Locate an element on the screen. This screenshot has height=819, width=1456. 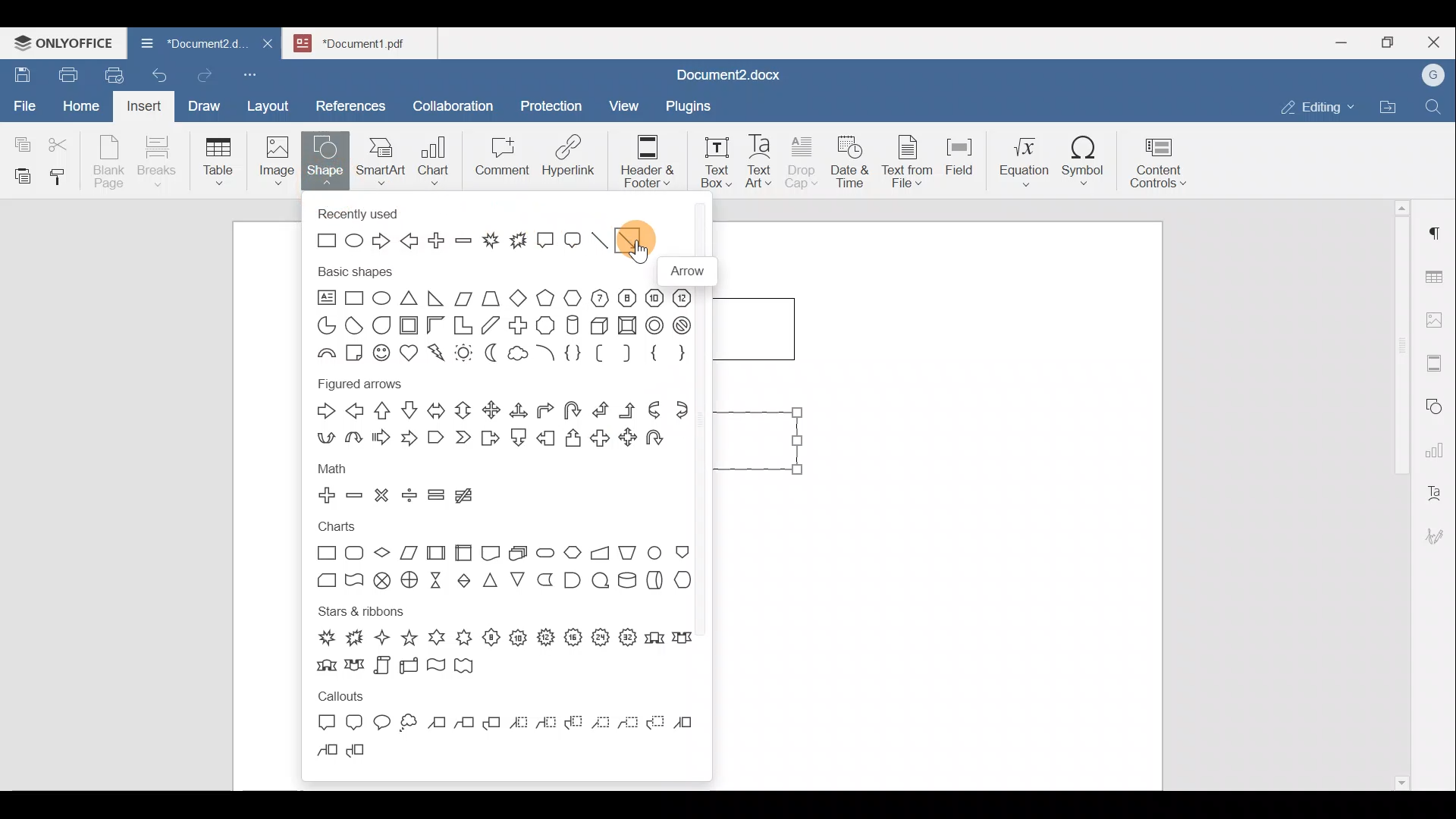
Protection is located at coordinates (556, 104).